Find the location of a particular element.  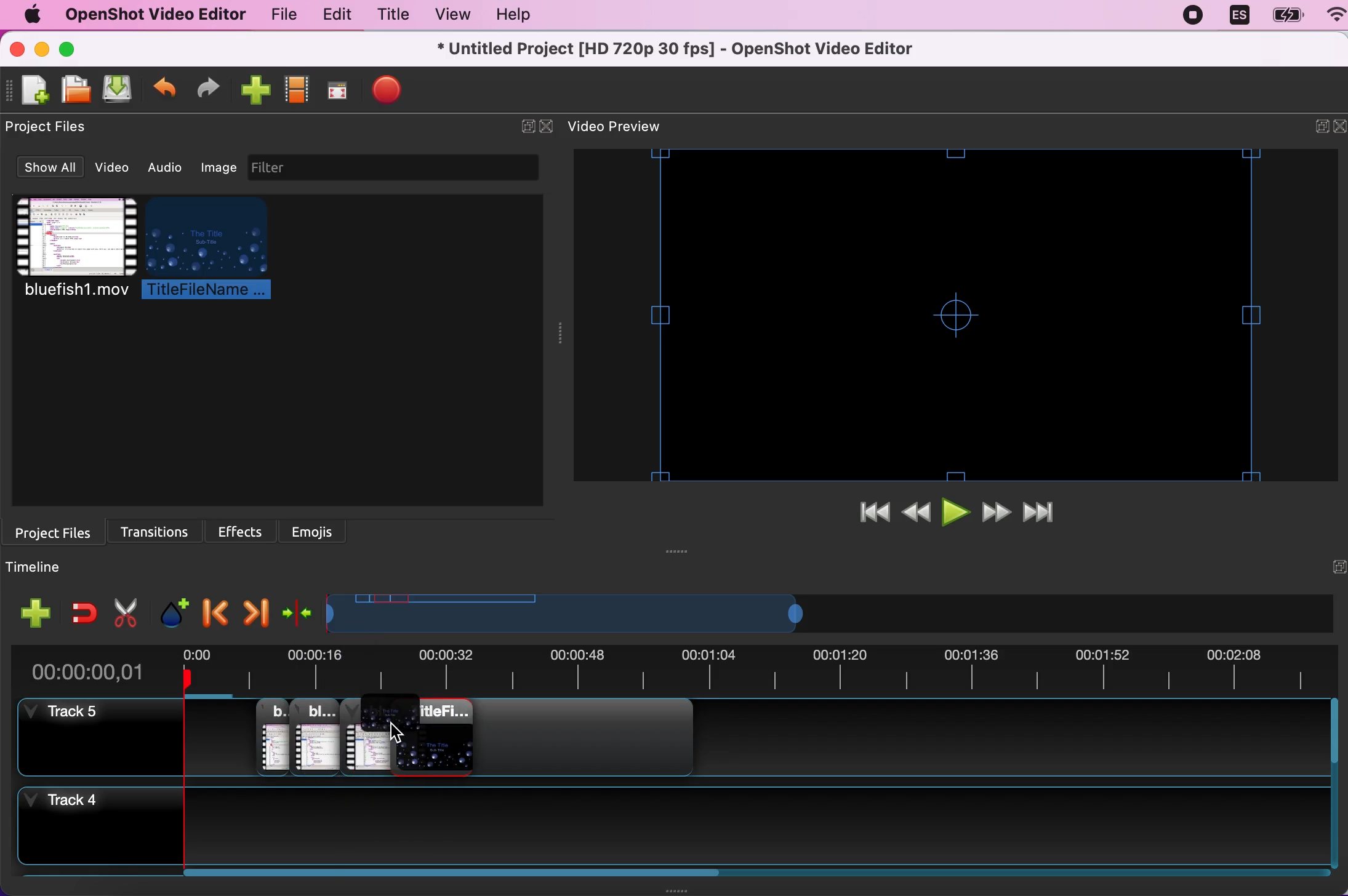

redo is located at coordinates (208, 90).